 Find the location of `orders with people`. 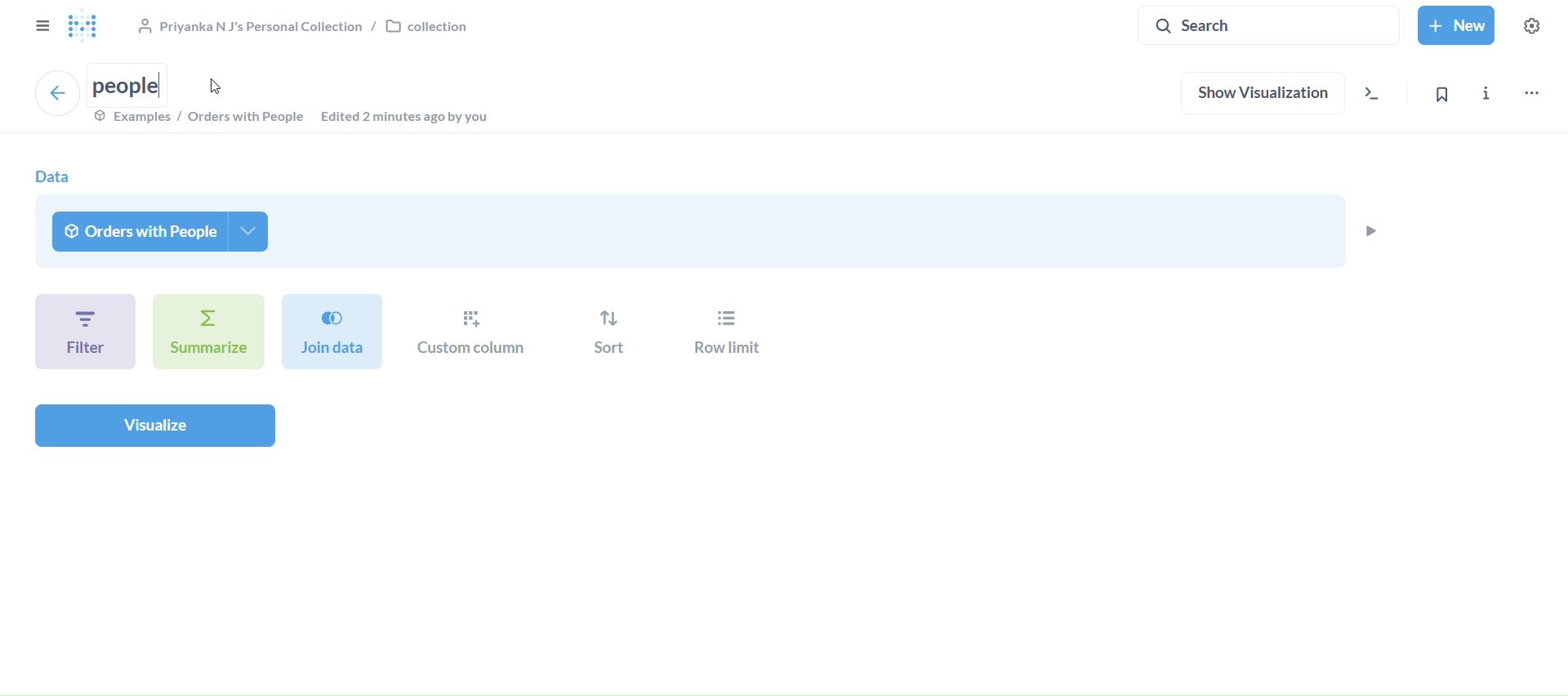

orders with people is located at coordinates (163, 231).